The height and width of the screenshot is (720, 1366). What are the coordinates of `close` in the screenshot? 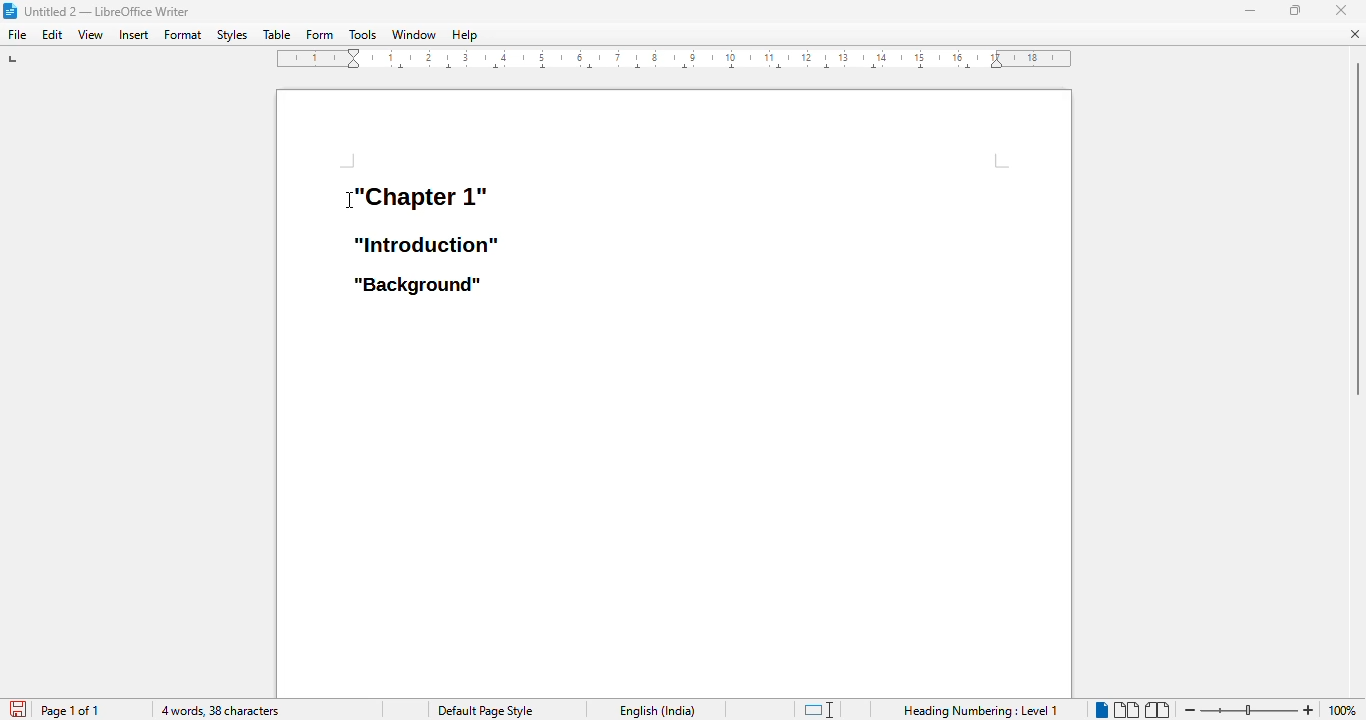 It's located at (1340, 9).